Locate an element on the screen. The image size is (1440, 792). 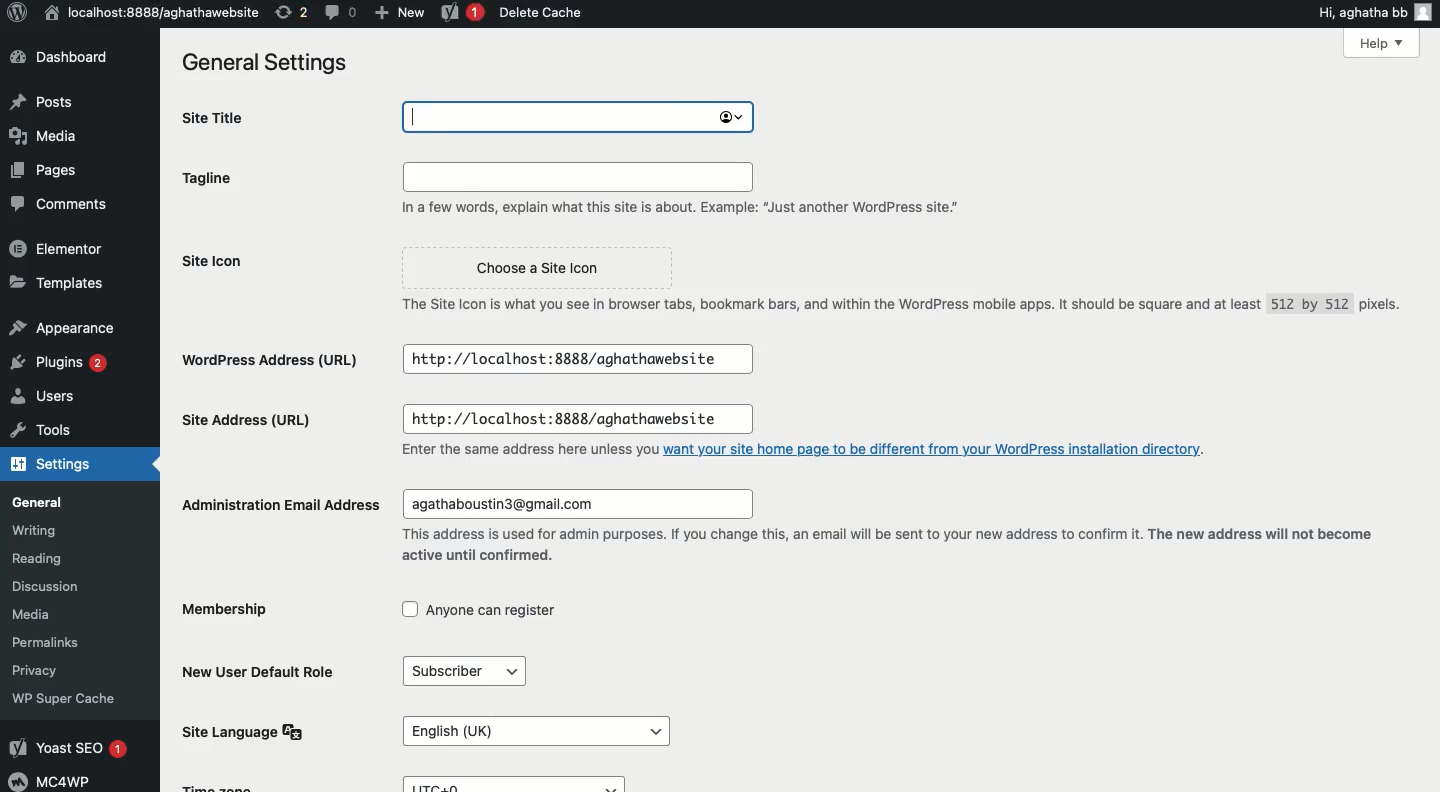
New is located at coordinates (399, 12).